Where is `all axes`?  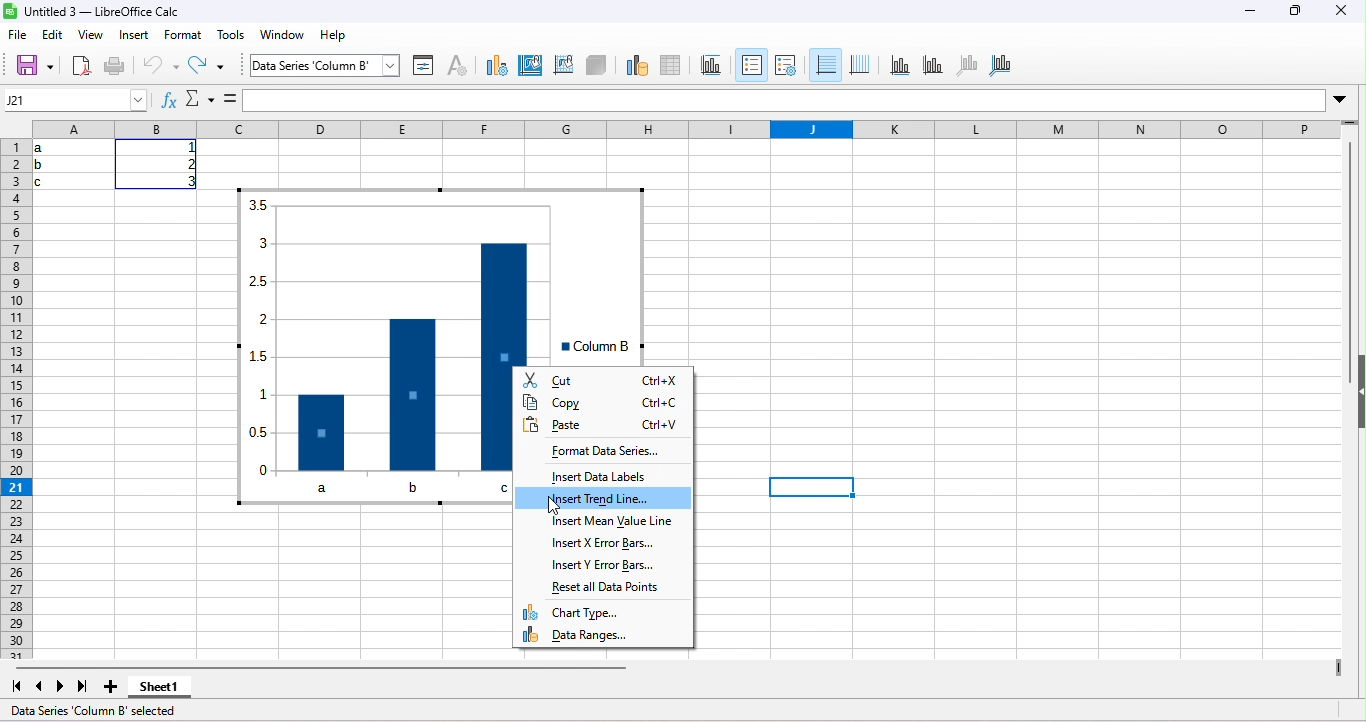
all axes is located at coordinates (1004, 67).